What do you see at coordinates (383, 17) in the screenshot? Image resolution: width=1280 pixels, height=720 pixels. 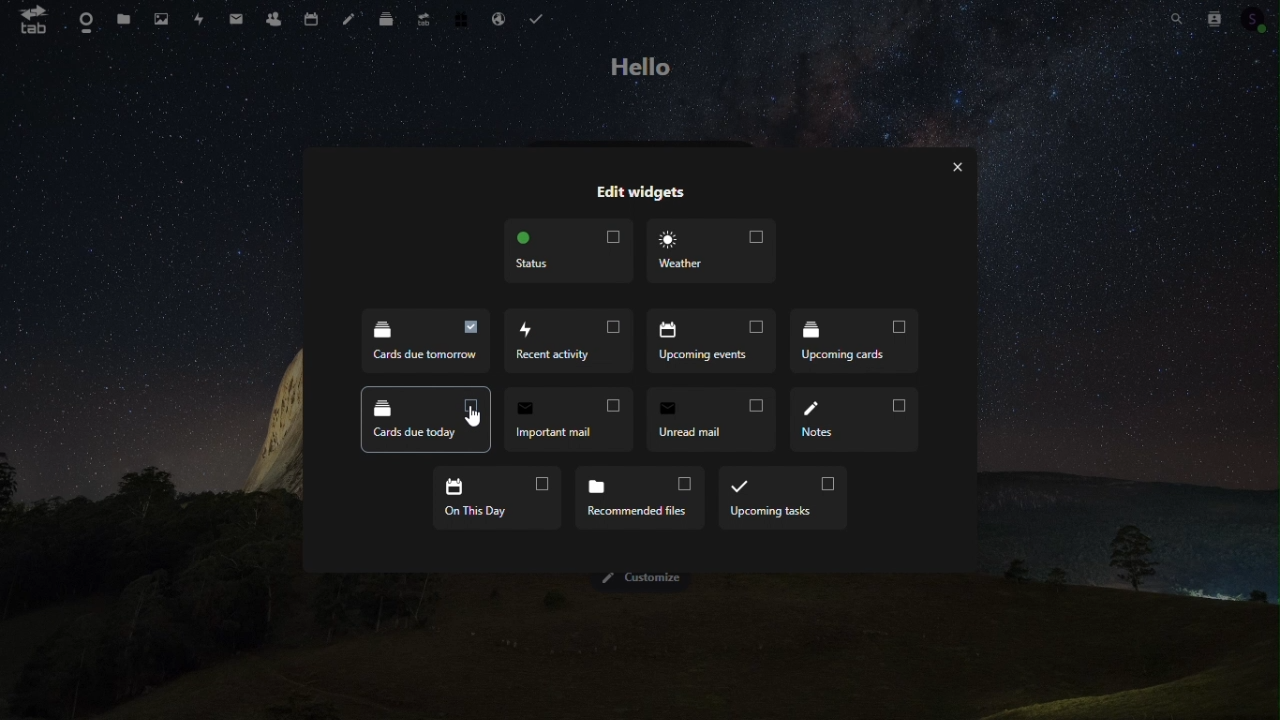 I see `deck` at bounding box center [383, 17].